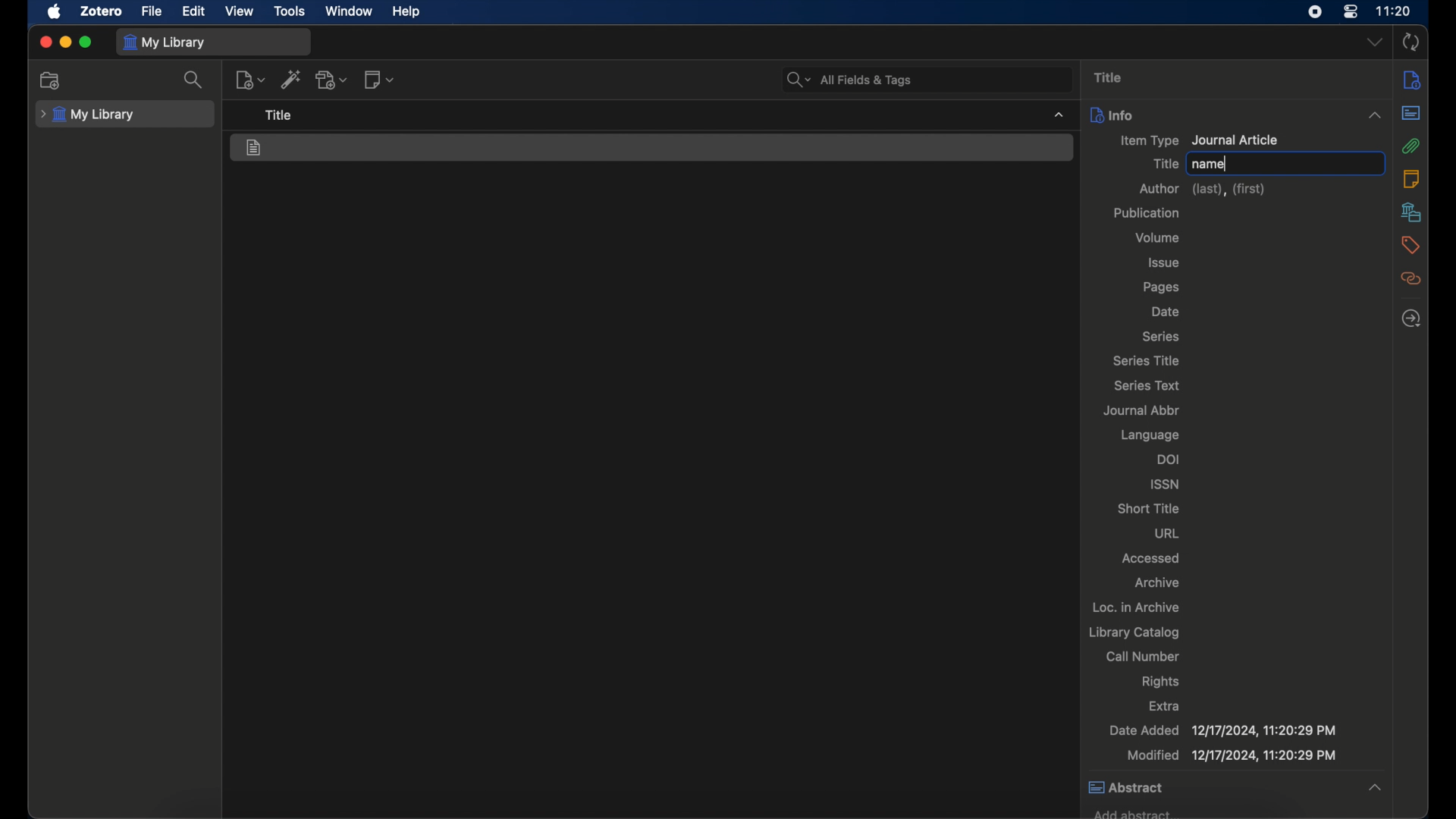 This screenshot has height=819, width=1456. I want to click on maximize, so click(86, 42).